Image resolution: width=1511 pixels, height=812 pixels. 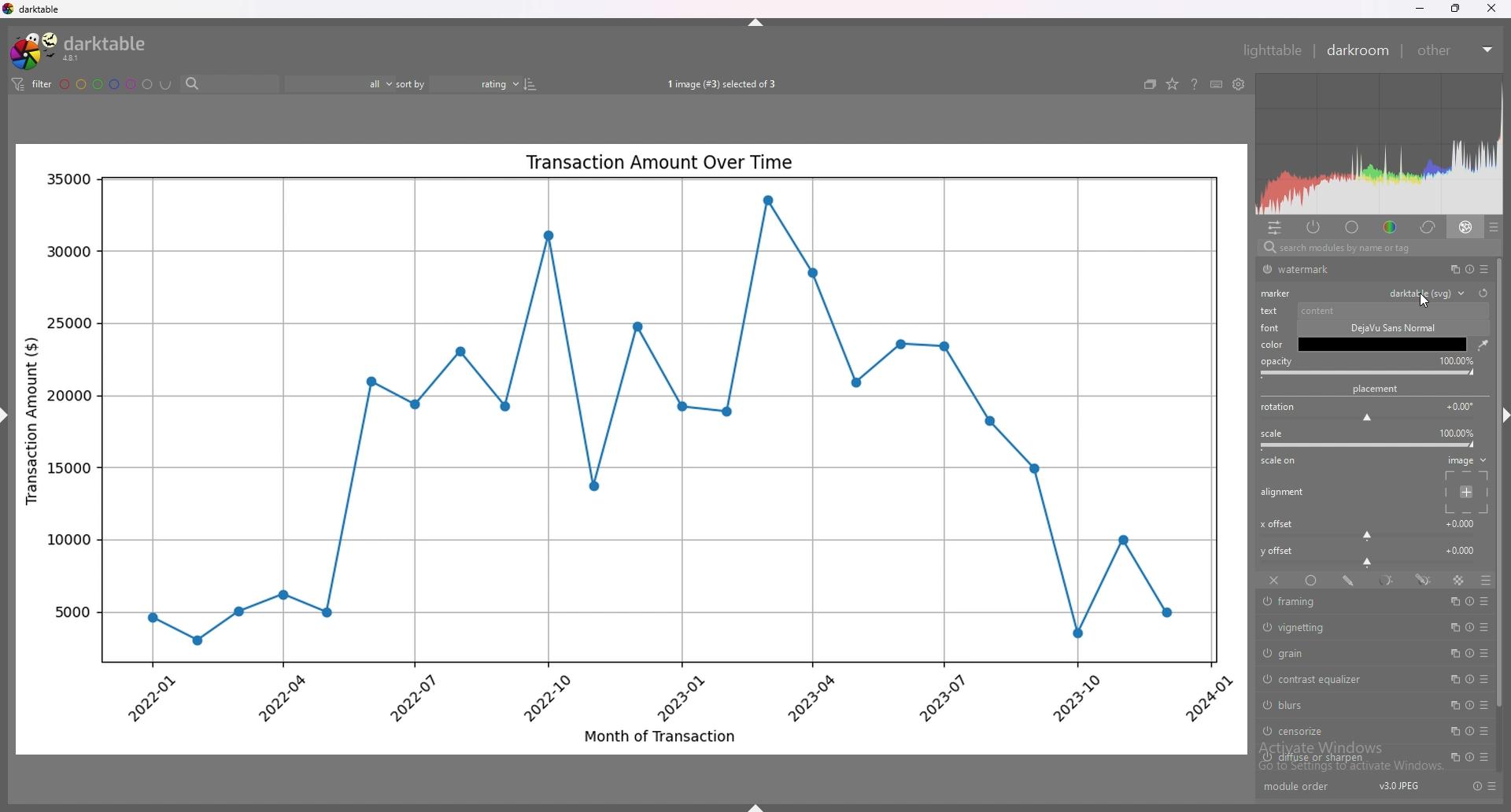 I want to click on presets, so click(x=1485, y=680).